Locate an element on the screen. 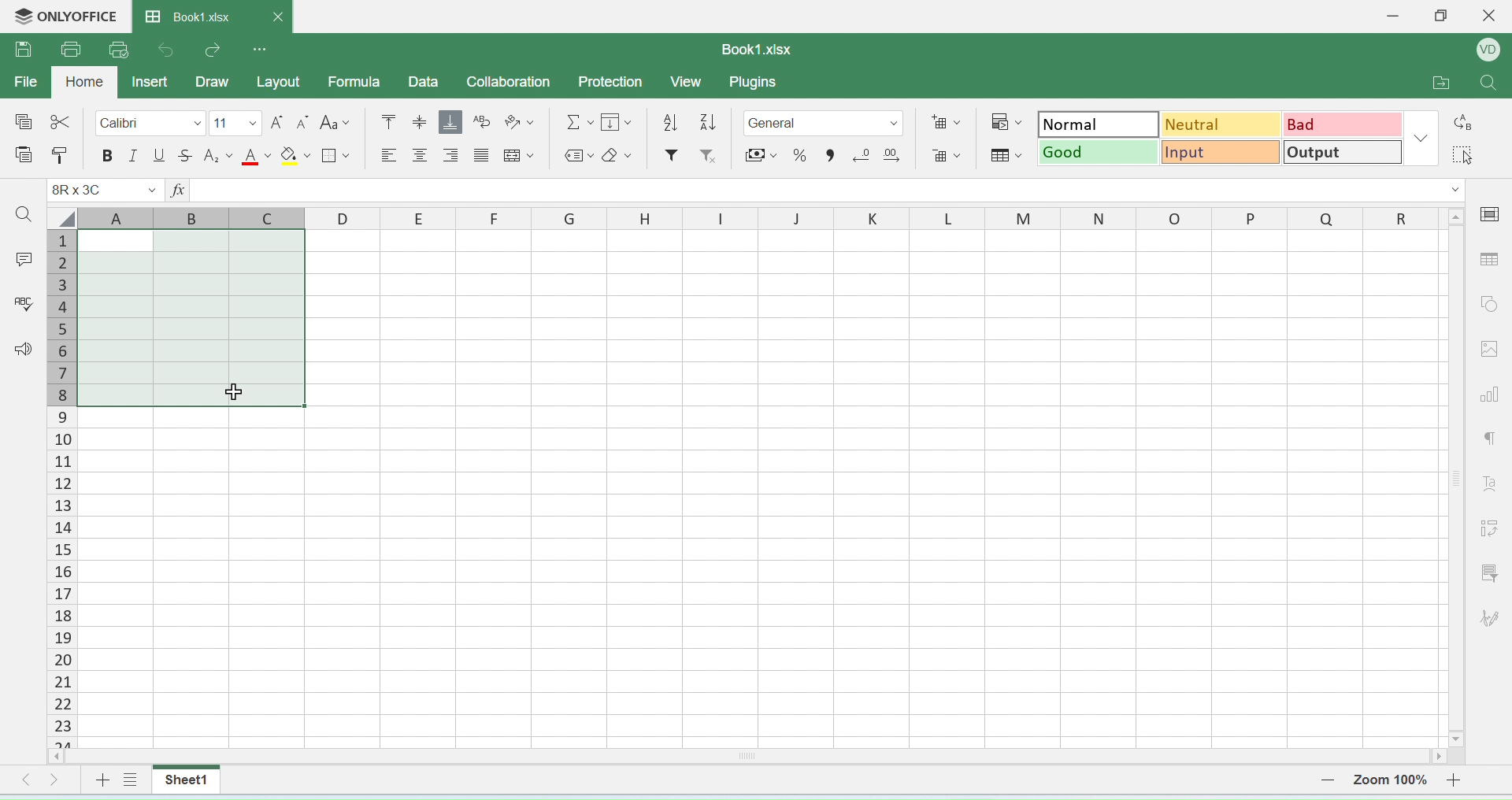  plugins is located at coordinates (762, 82).